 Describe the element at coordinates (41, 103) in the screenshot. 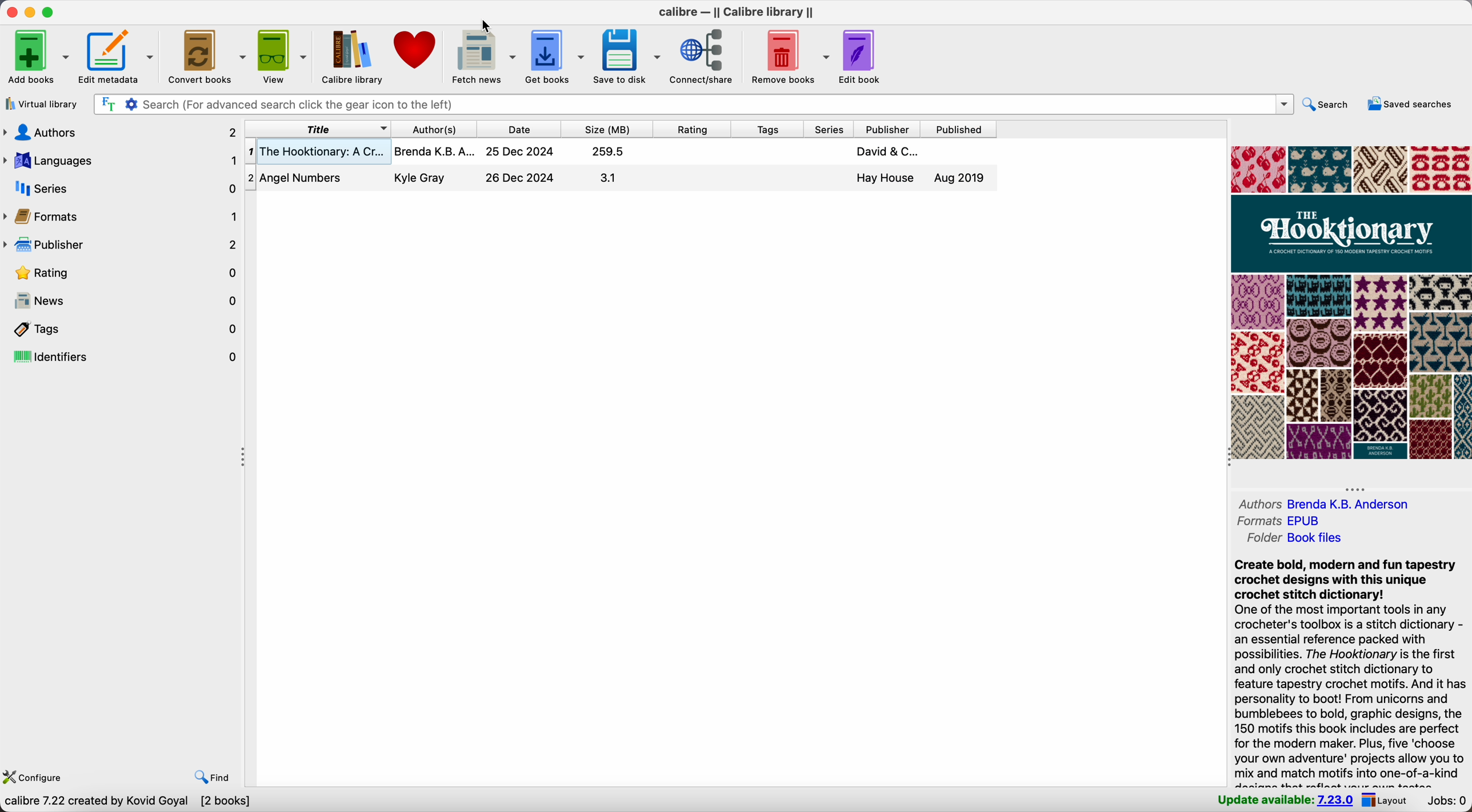

I see `virtual library` at that location.